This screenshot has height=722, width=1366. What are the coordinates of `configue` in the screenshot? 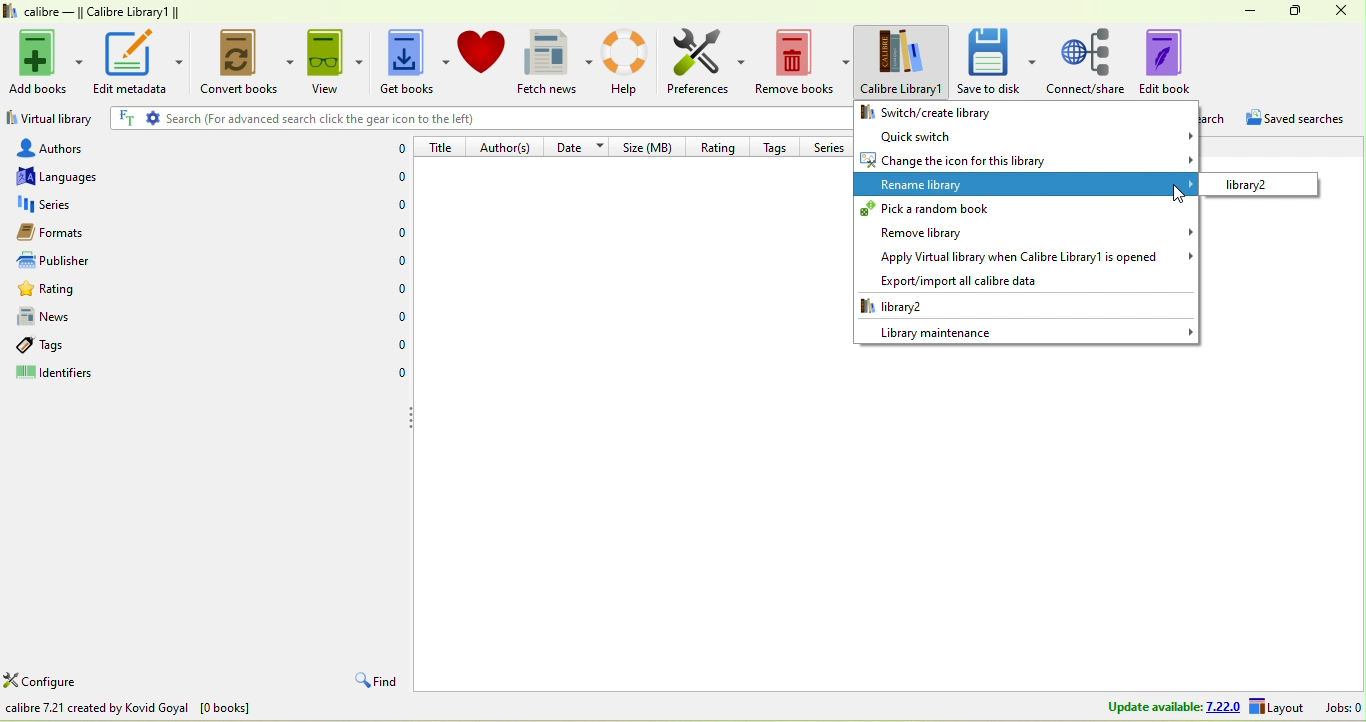 It's located at (64, 683).